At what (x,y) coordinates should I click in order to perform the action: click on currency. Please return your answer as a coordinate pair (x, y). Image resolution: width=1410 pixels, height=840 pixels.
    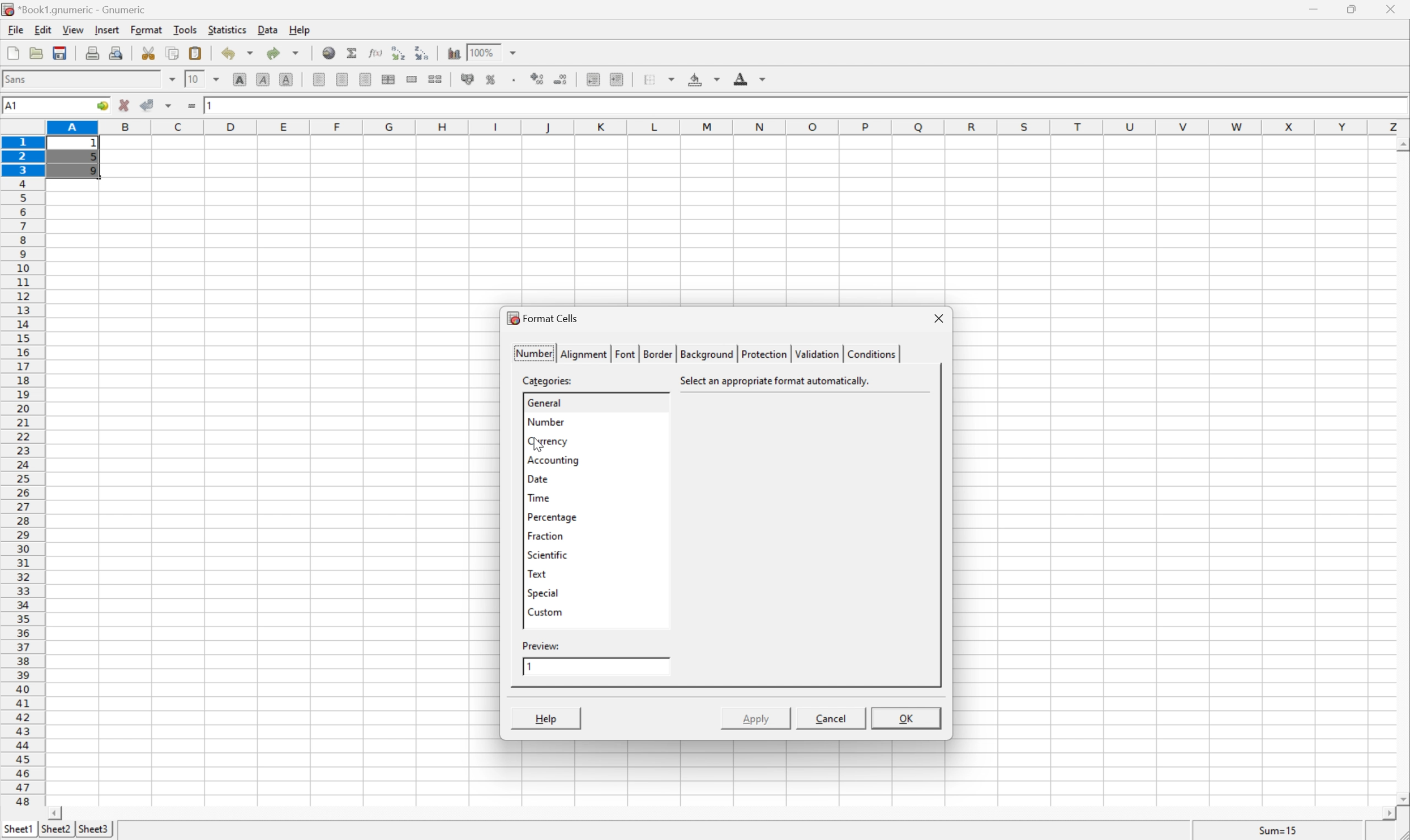
    Looking at the image, I should click on (546, 441).